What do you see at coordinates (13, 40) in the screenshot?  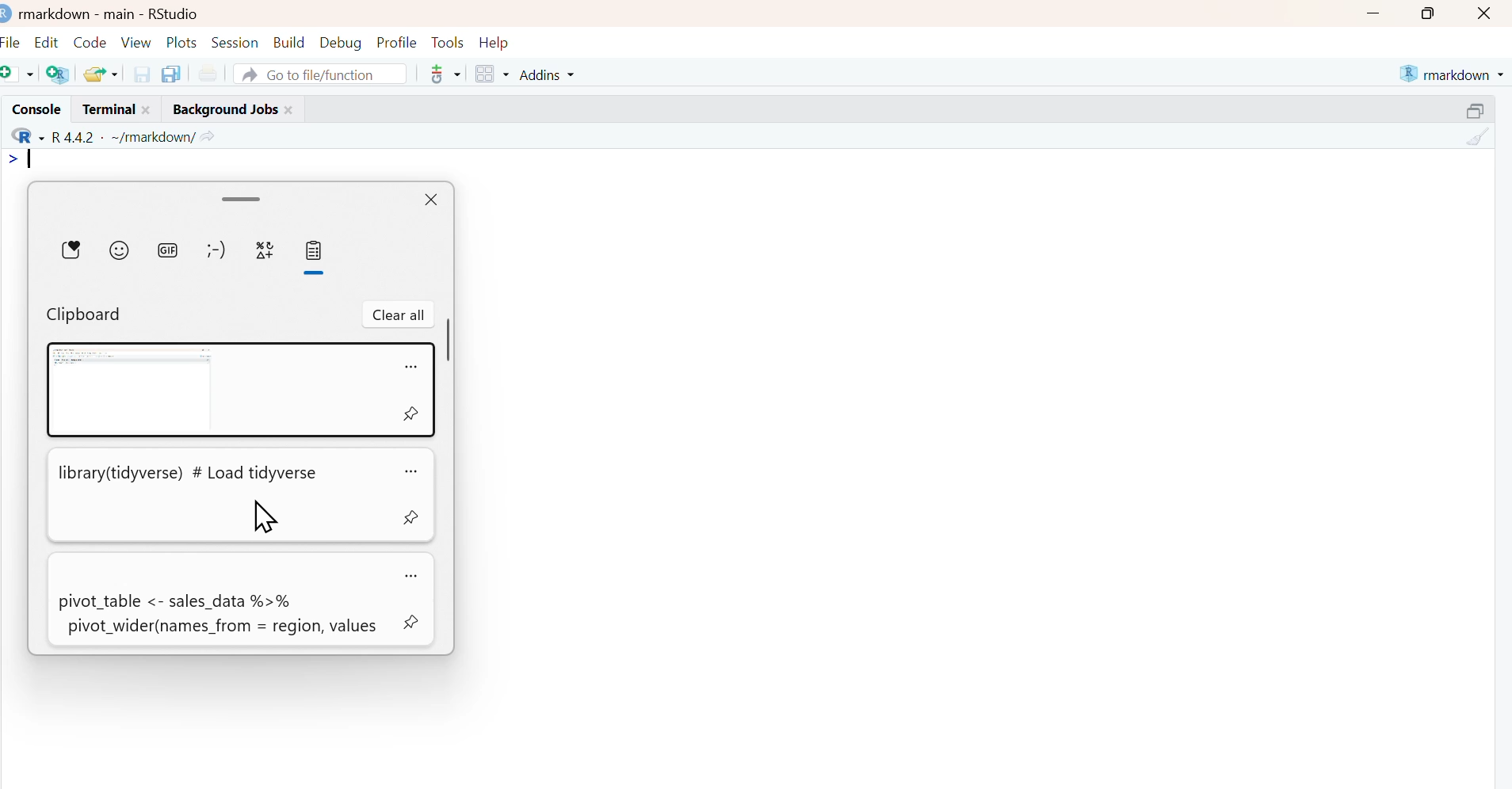 I see `File` at bounding box center [13, 40].